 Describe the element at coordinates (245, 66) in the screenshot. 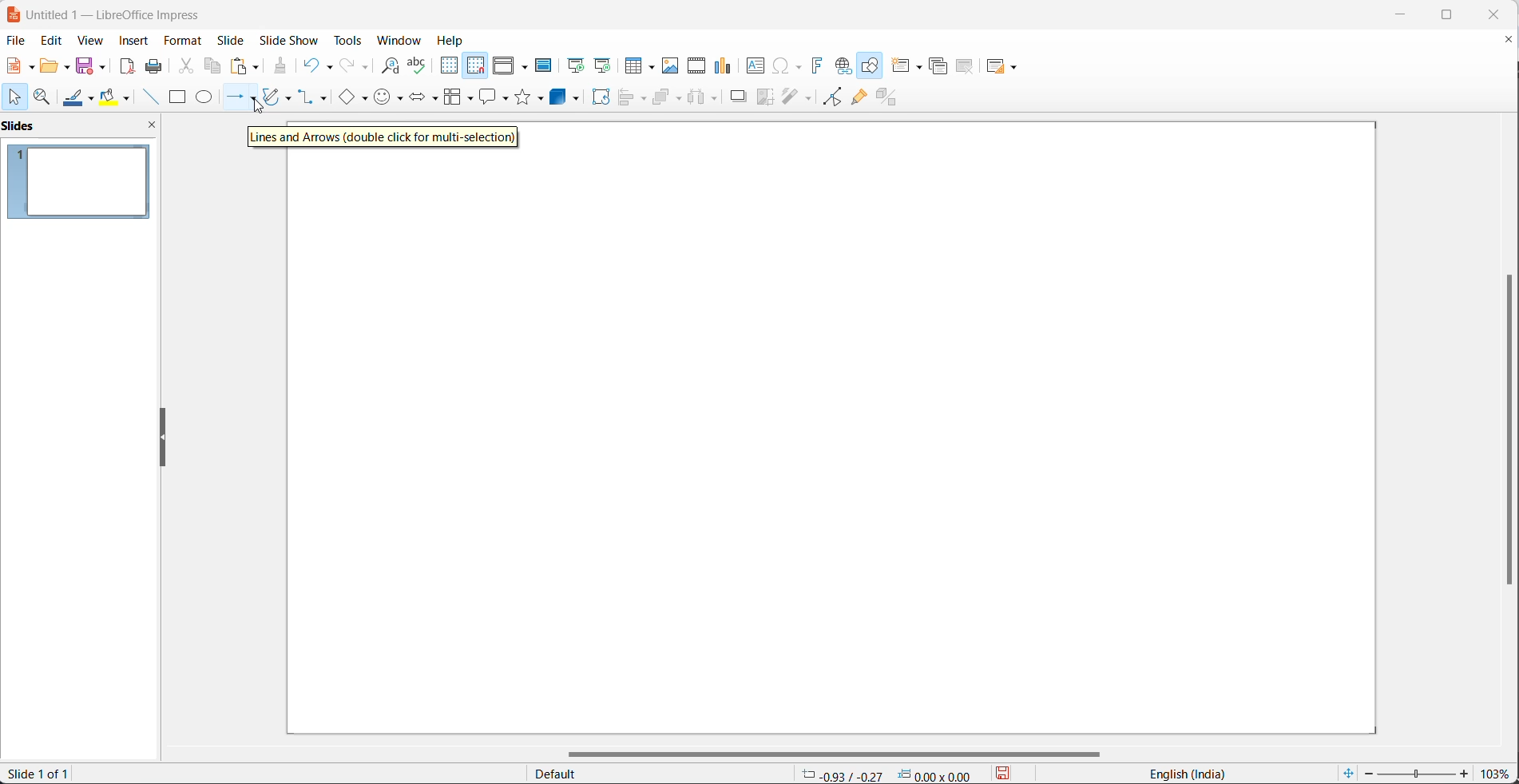

I see `paste options` at that location.